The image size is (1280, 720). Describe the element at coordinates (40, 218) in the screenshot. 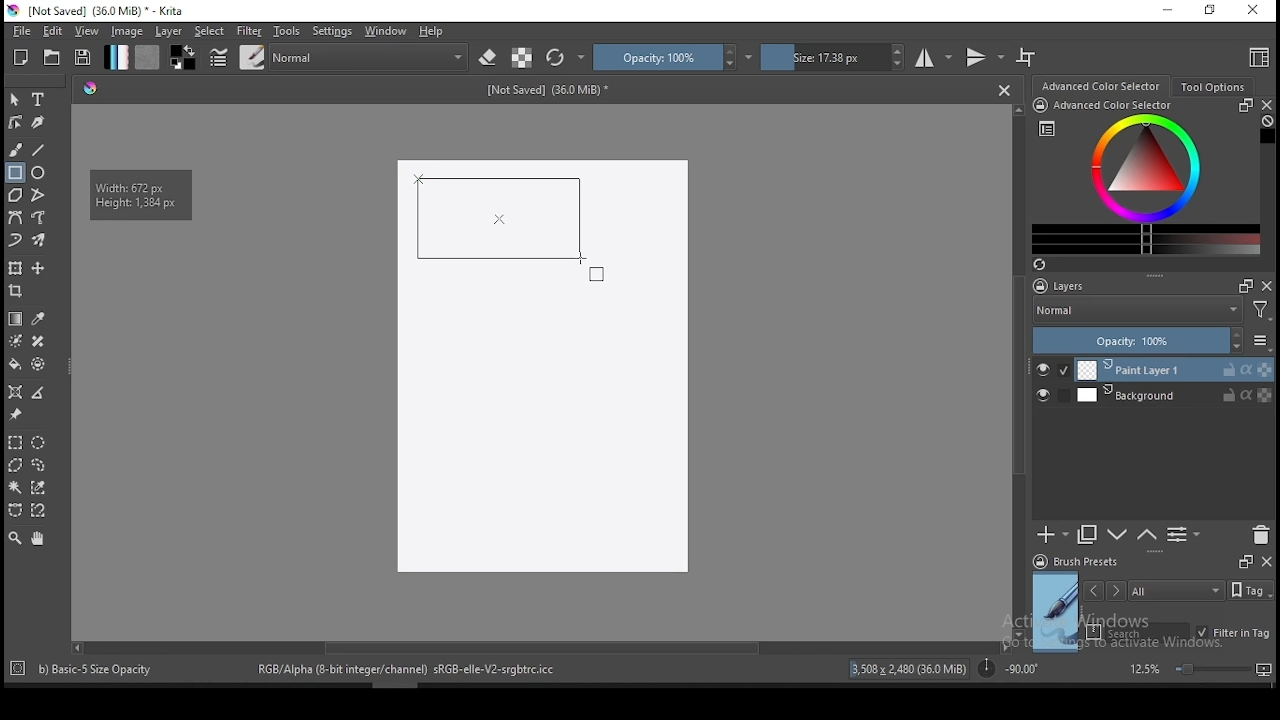

I see `freehand path tool` at that location.